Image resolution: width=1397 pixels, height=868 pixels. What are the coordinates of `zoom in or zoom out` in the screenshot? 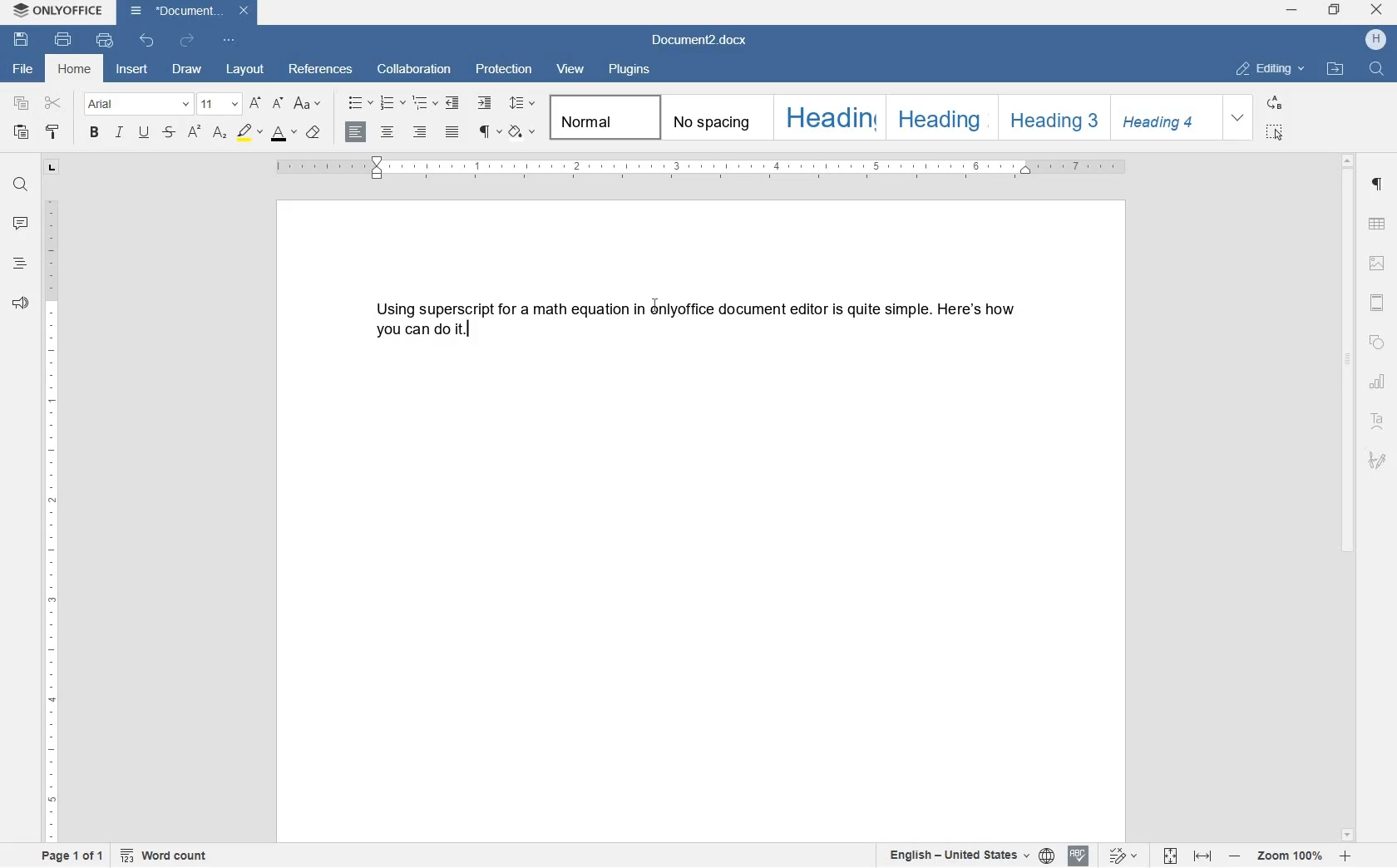 It's located at (1291, 856).